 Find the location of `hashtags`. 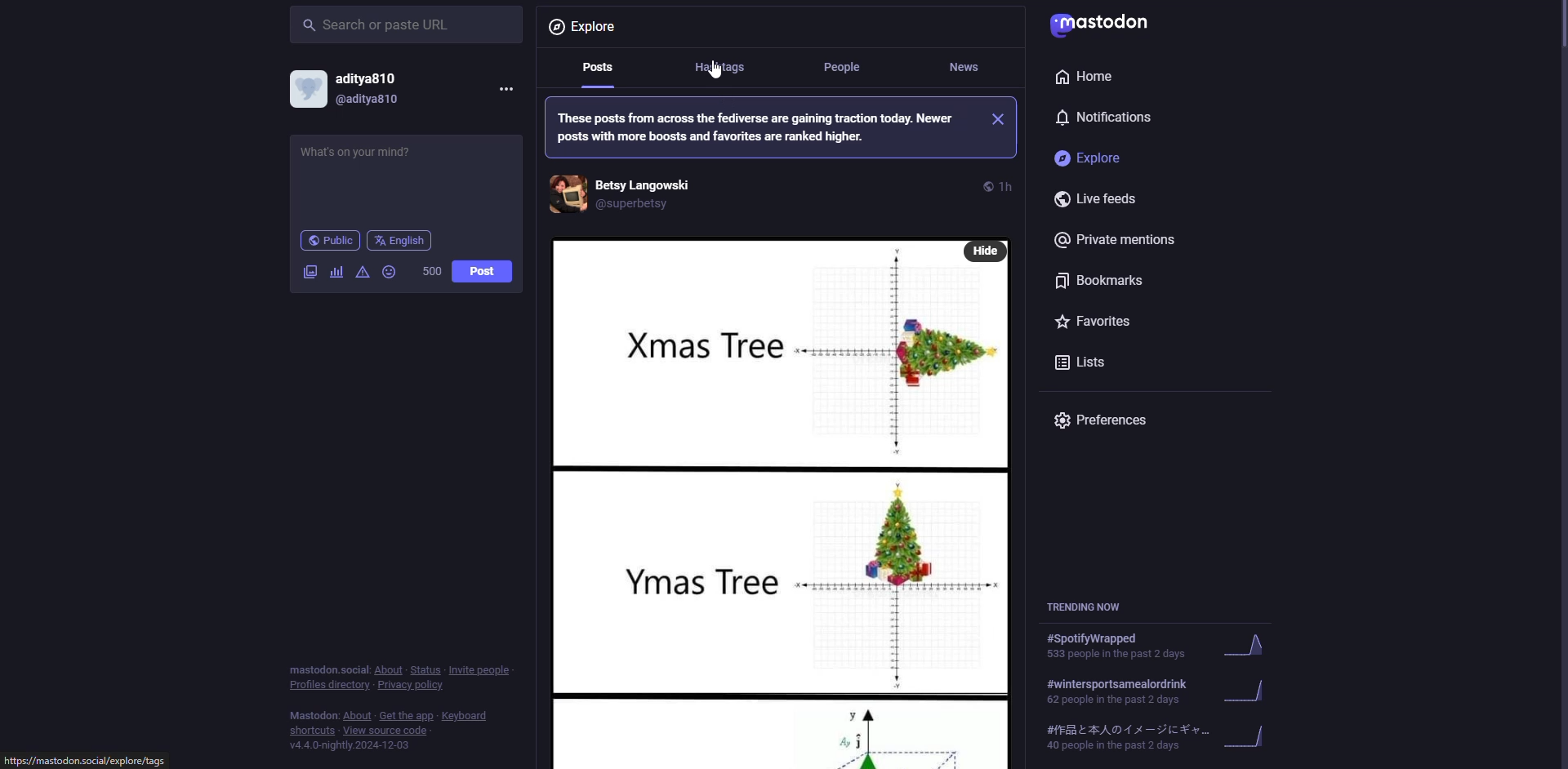

hashtags is located at coordinates (722, 68).